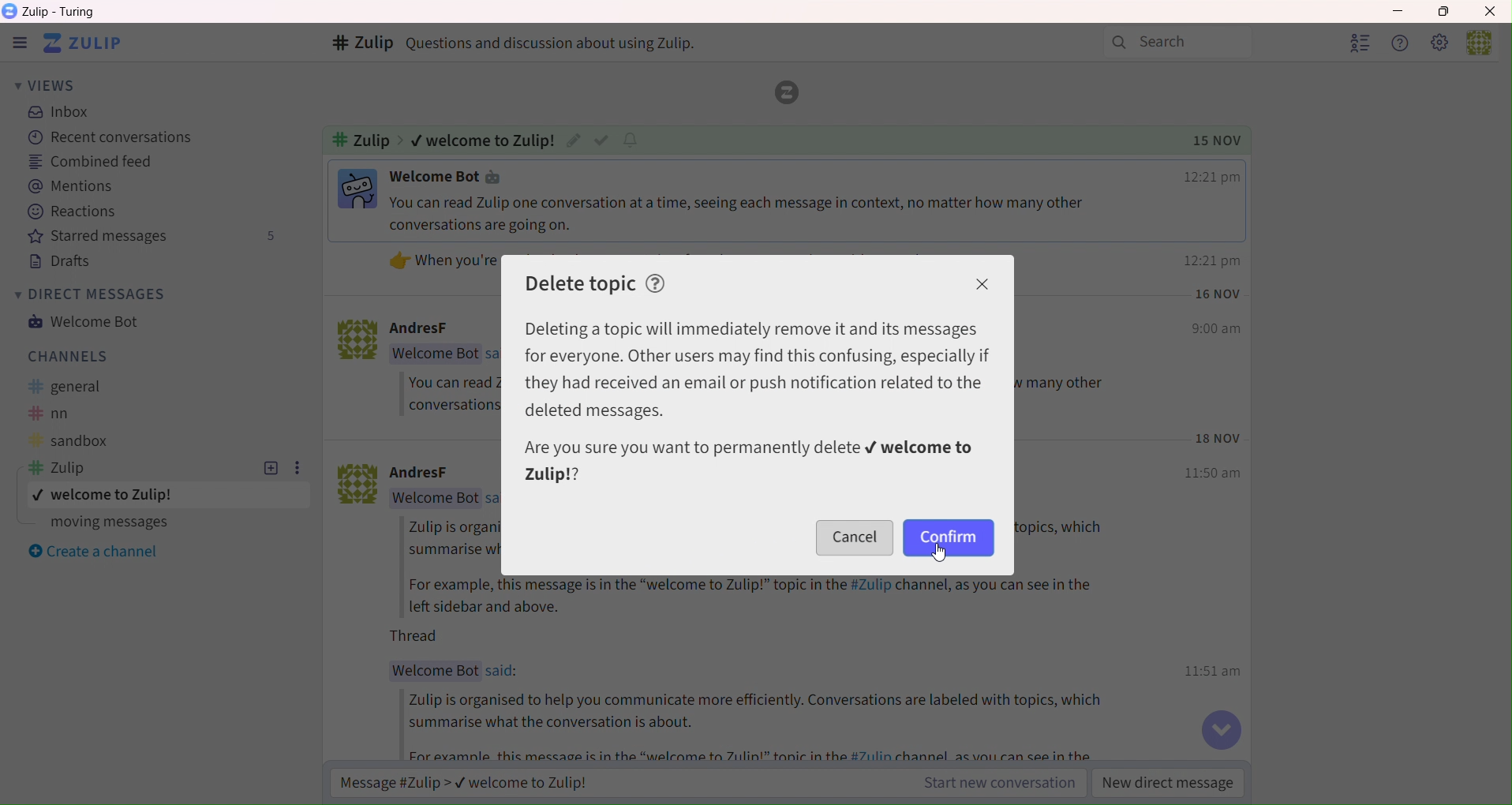 The height and width of the screenshot is (805, 1512). I want to click on user, so click(1476, 47).